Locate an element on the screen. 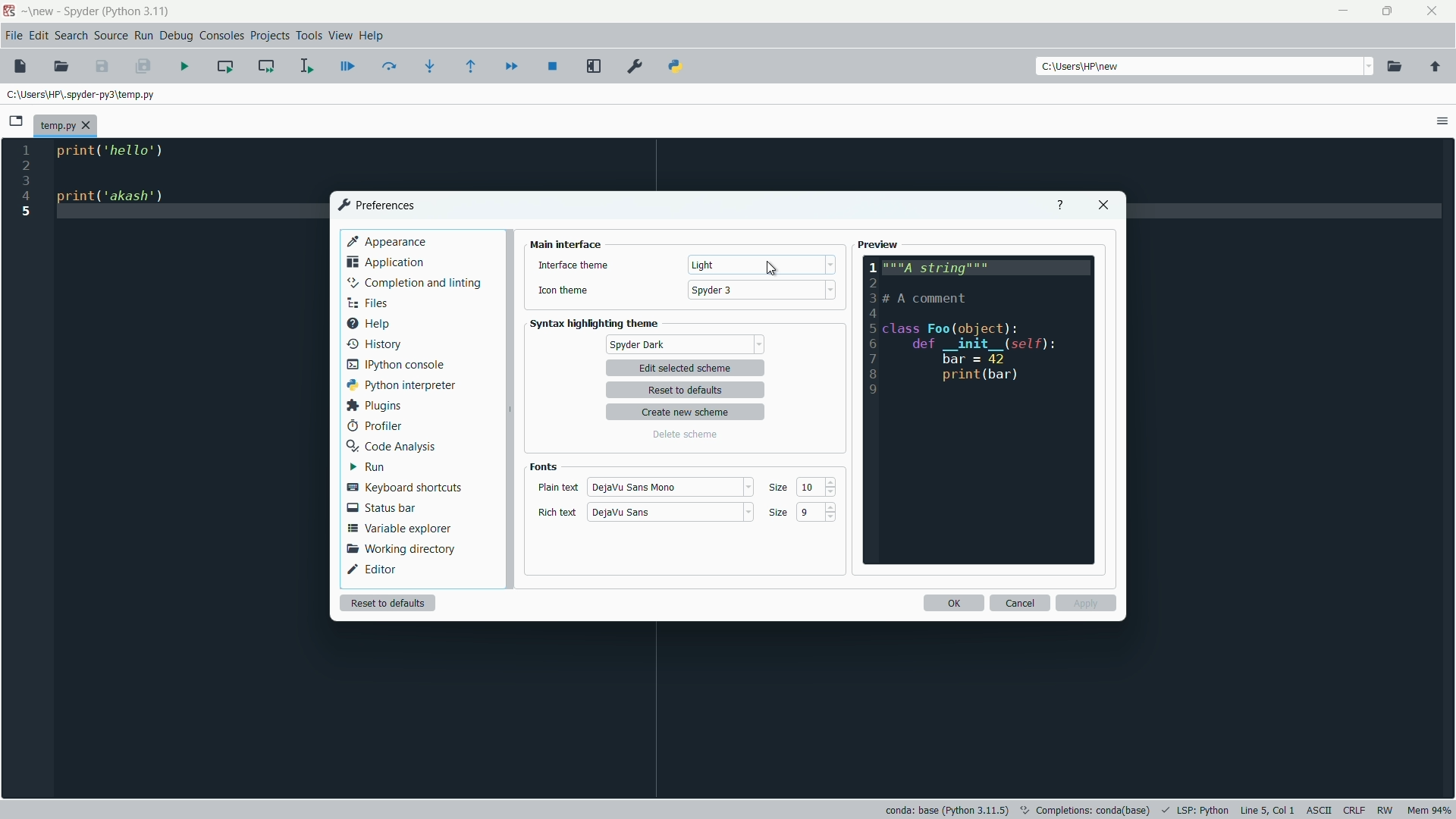 The width and height of the screenshot is (1456, 819). help is located at coordinates (367, 322).